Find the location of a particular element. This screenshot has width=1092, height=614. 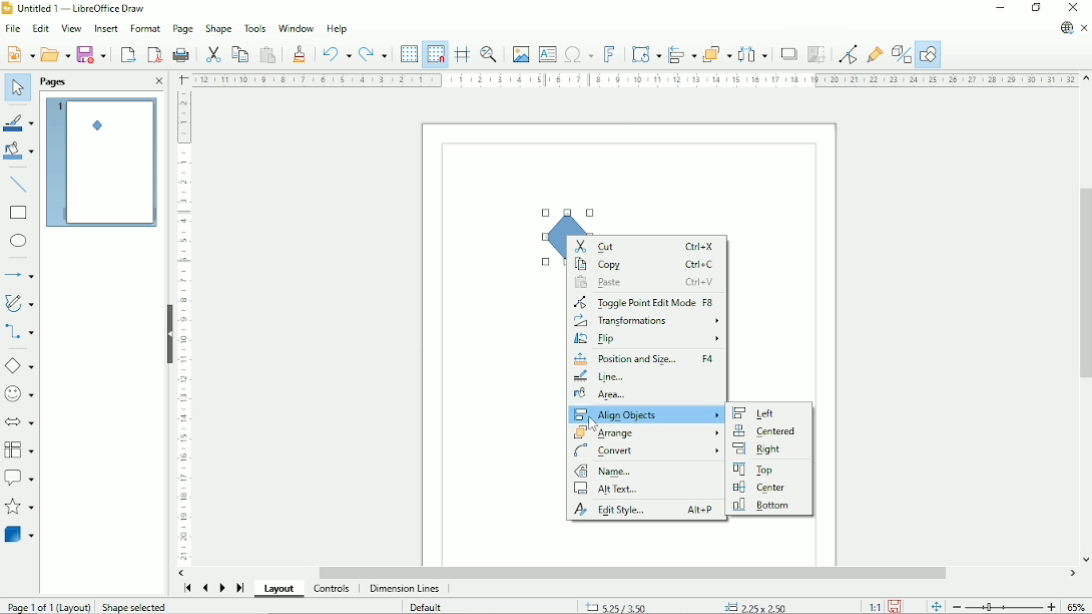

Scroll to first page is located at coordinates (186, 588).